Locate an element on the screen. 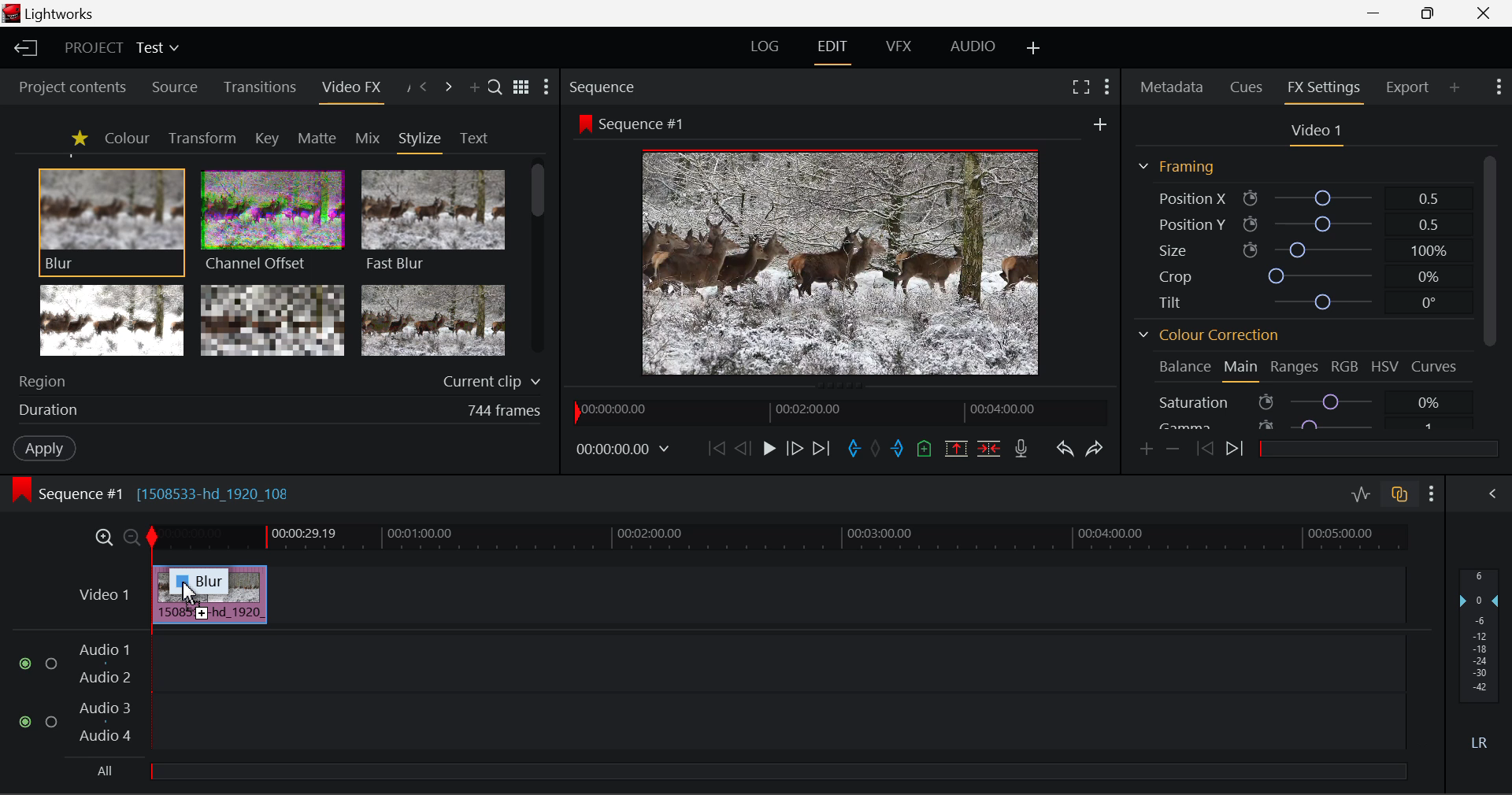 The width and height of the screenshot is (1512, 795). Balance is located at coordinates (1184, 369).